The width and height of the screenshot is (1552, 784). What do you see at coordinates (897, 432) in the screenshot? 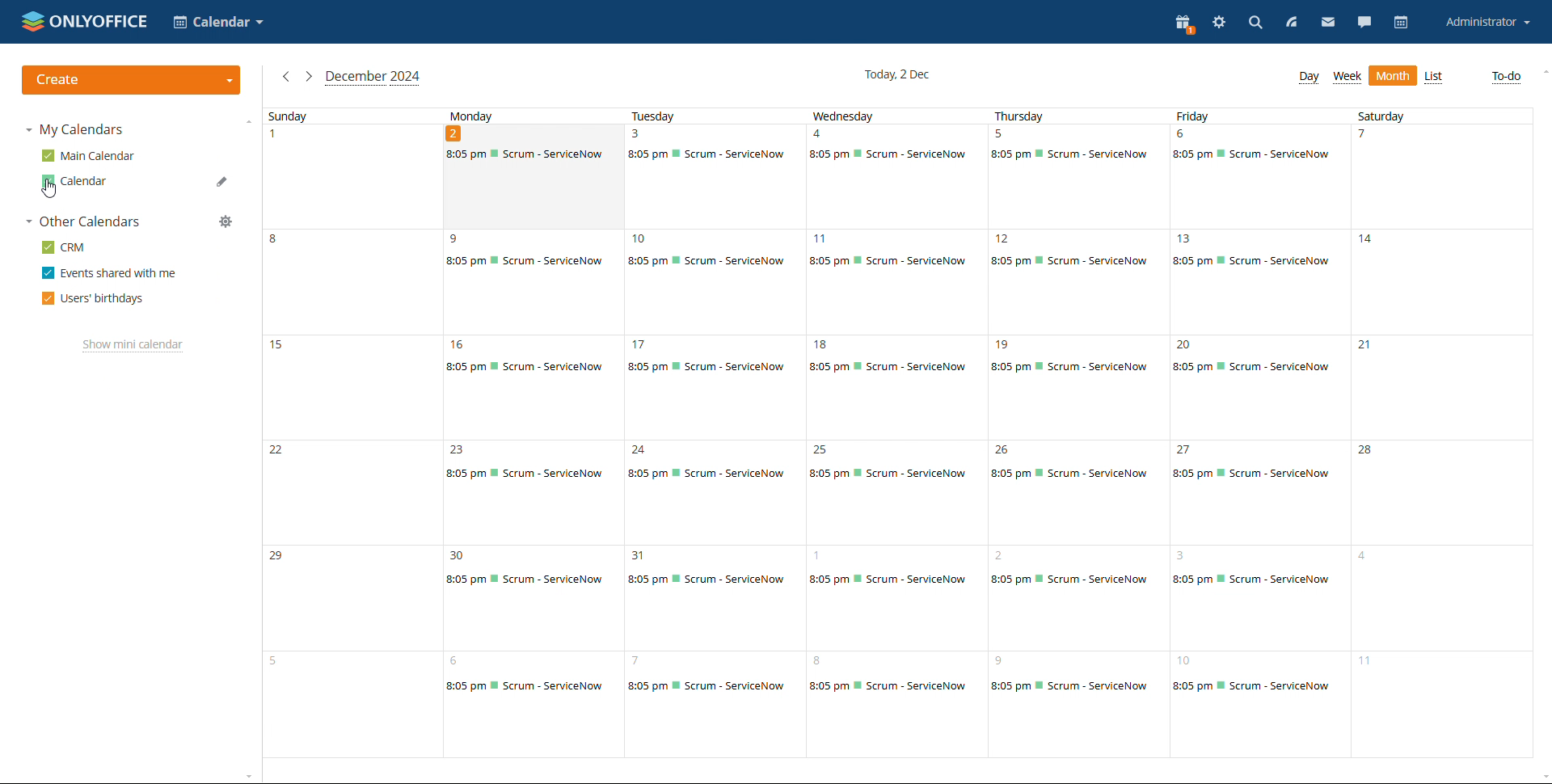
I see `wednesday` at bounding box center [897, 432].